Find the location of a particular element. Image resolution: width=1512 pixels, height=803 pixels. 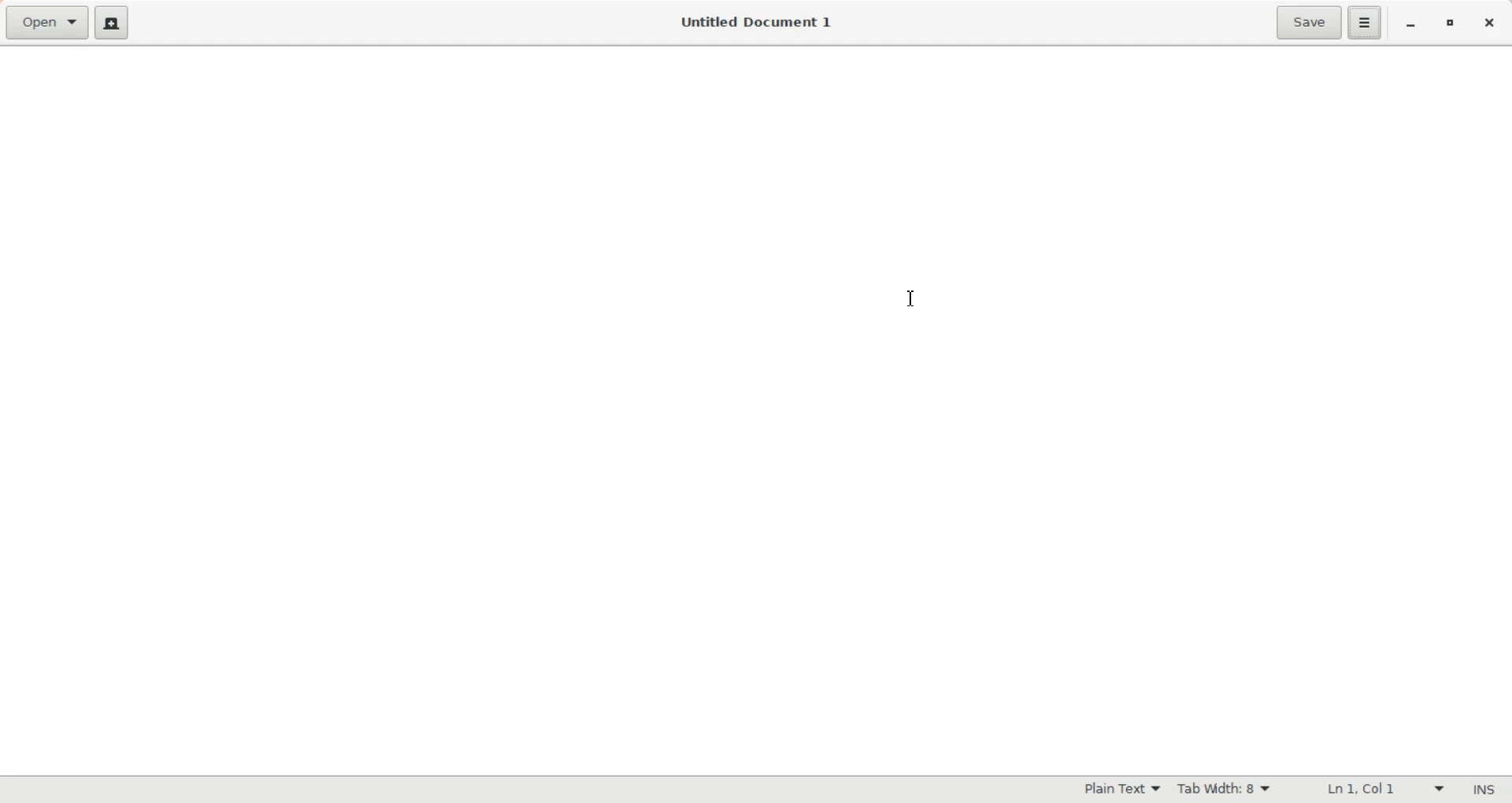

Line Column is located at coordinates (1371, 790).